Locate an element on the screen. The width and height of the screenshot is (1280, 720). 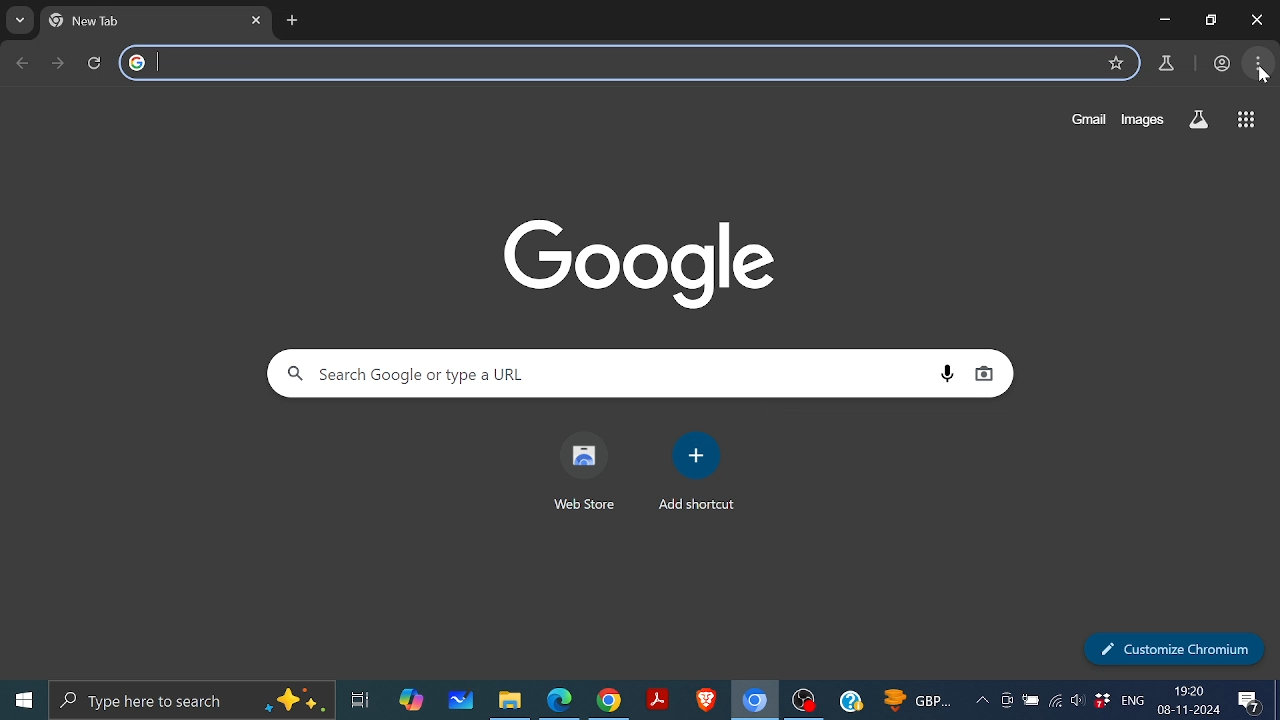
search tab is located at coordinates (628, 63).